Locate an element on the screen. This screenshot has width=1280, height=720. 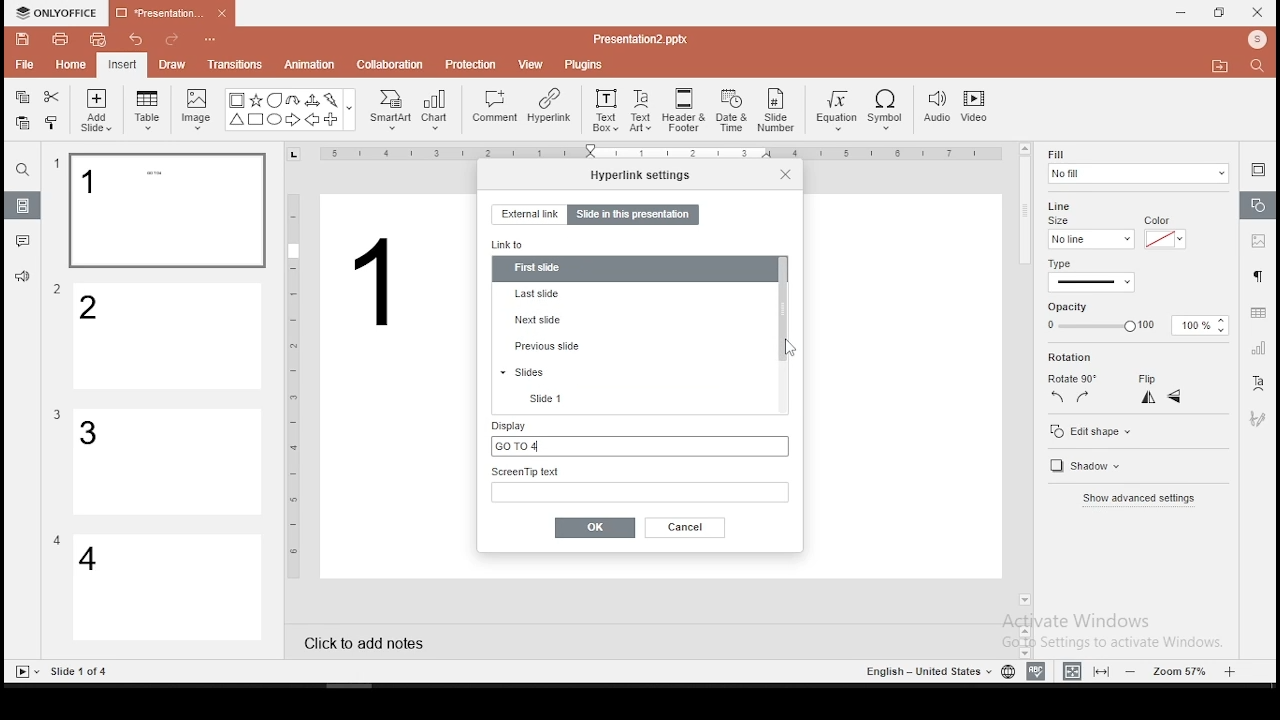
slide 3 is located at coordinates (165, 462).